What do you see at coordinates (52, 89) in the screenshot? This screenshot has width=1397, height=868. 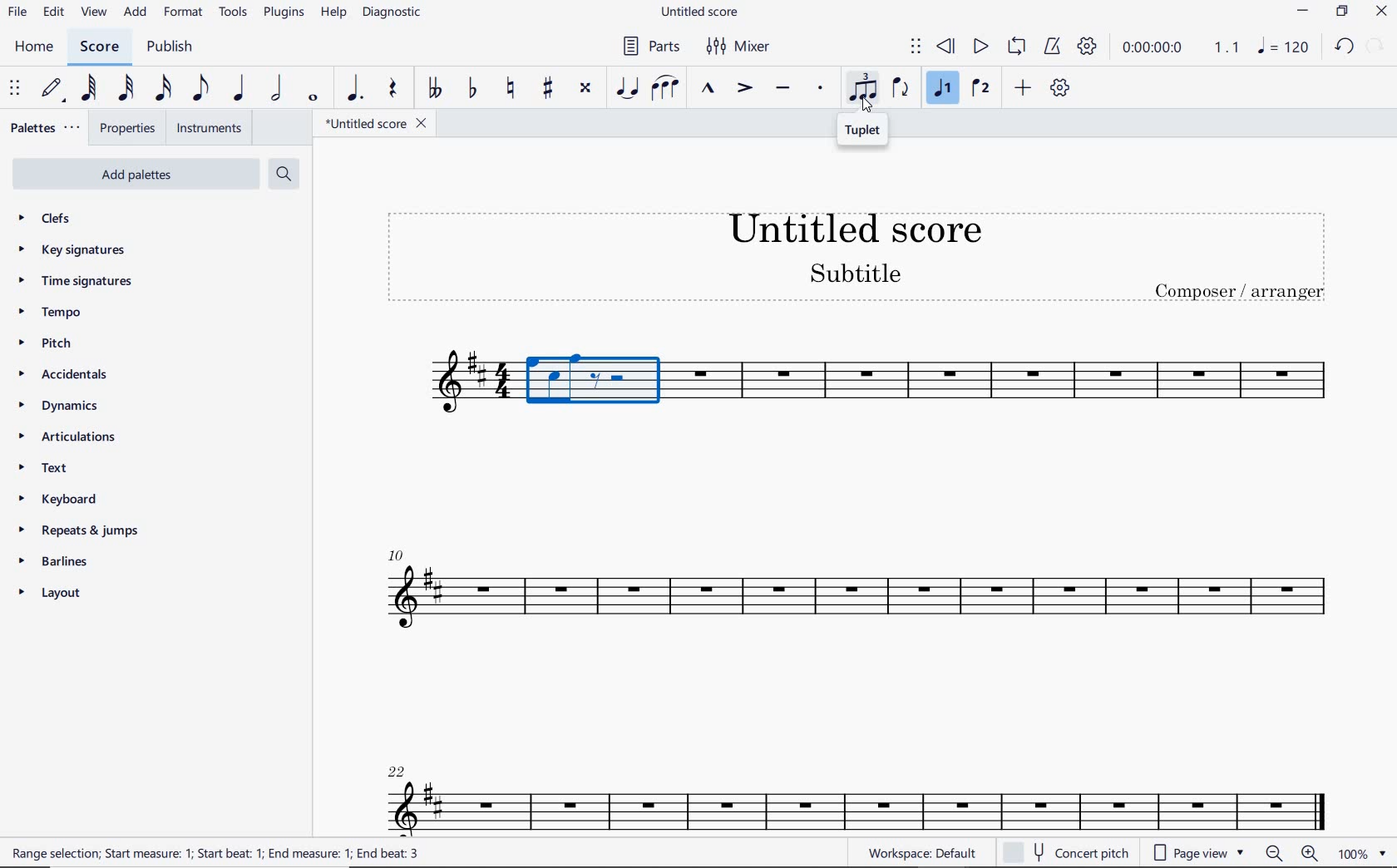 I see `DEFAULT (STEP TIME)` at bounding box center [52, 89].